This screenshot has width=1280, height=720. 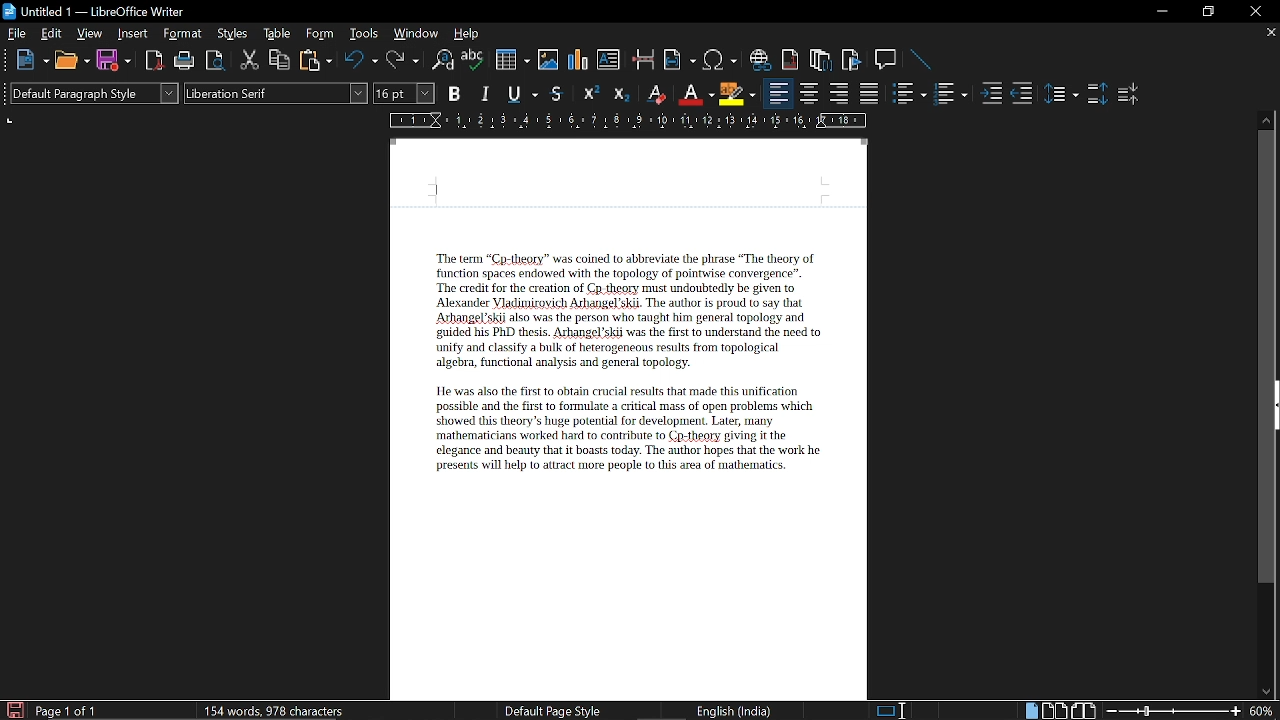 What do you see at coordinates (362, 60) in the screenshot?
I see `Undo` at bounding box center [362, 60].